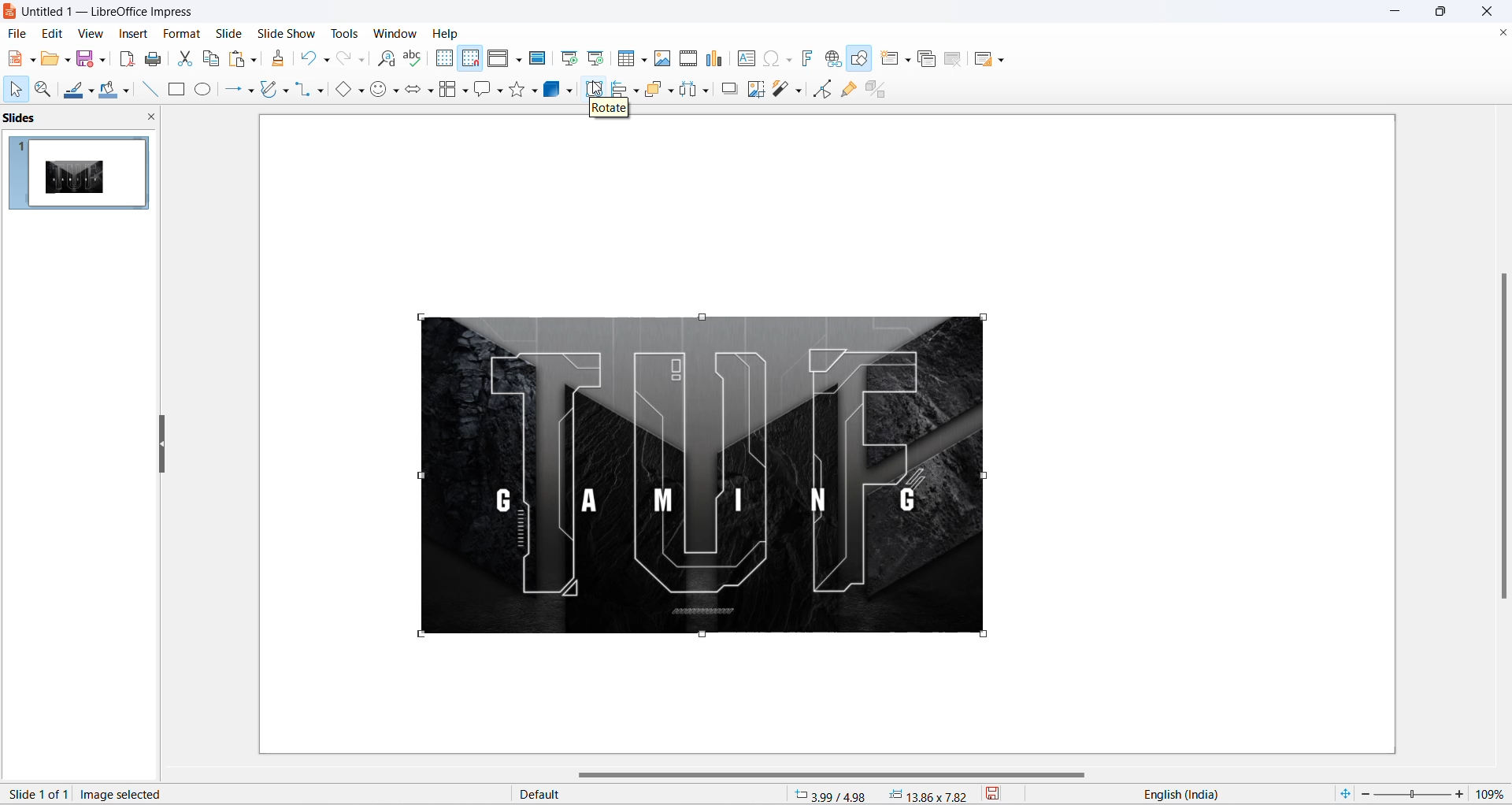  What do you see at coordinates (499, 59) in the screenshot?
I see `display view` at bounding box center [499, 59].